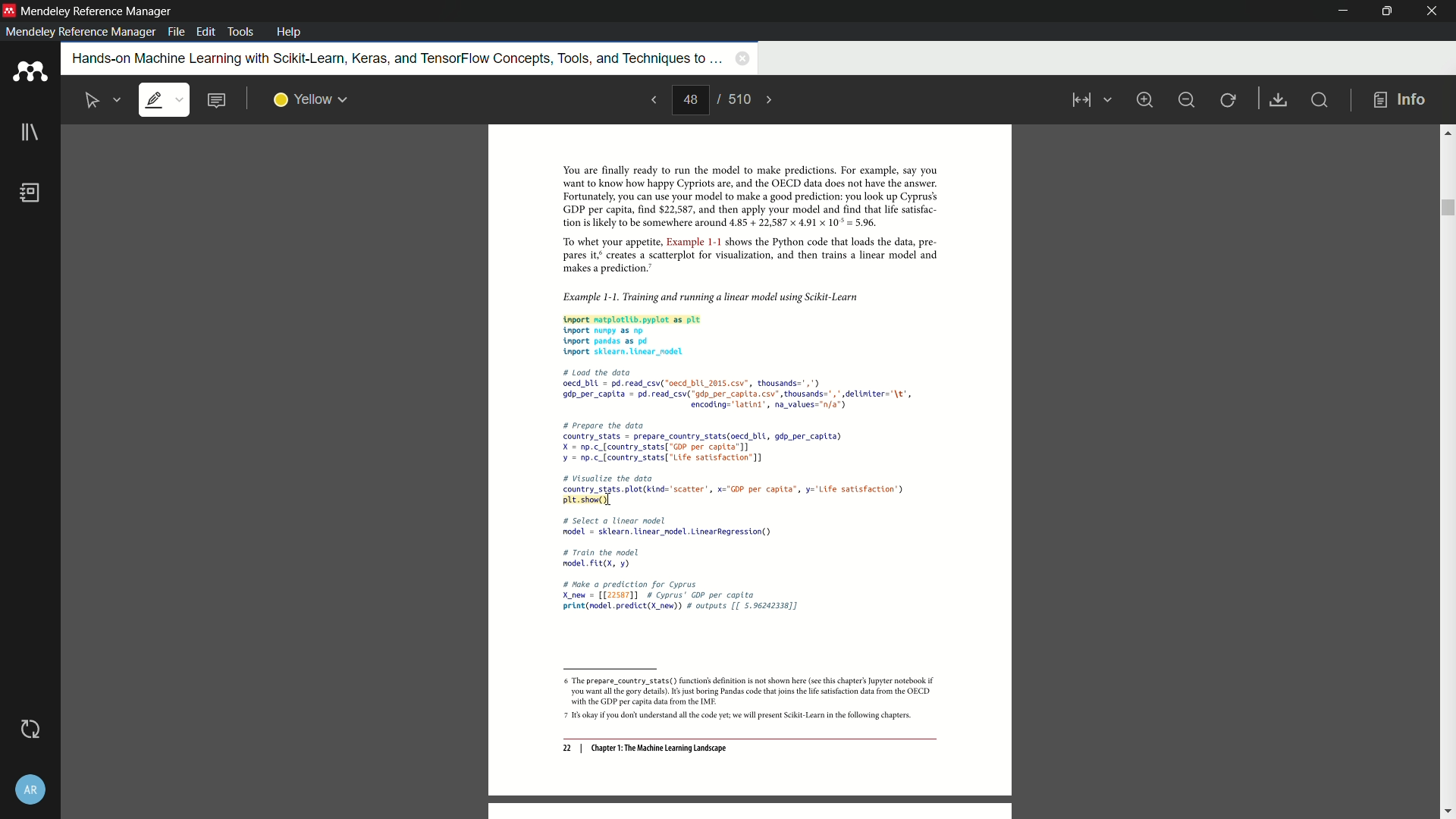 Image resolution: width=1456 pixels, height=819 pixels. I want to click on file menu, so click(176, 32).